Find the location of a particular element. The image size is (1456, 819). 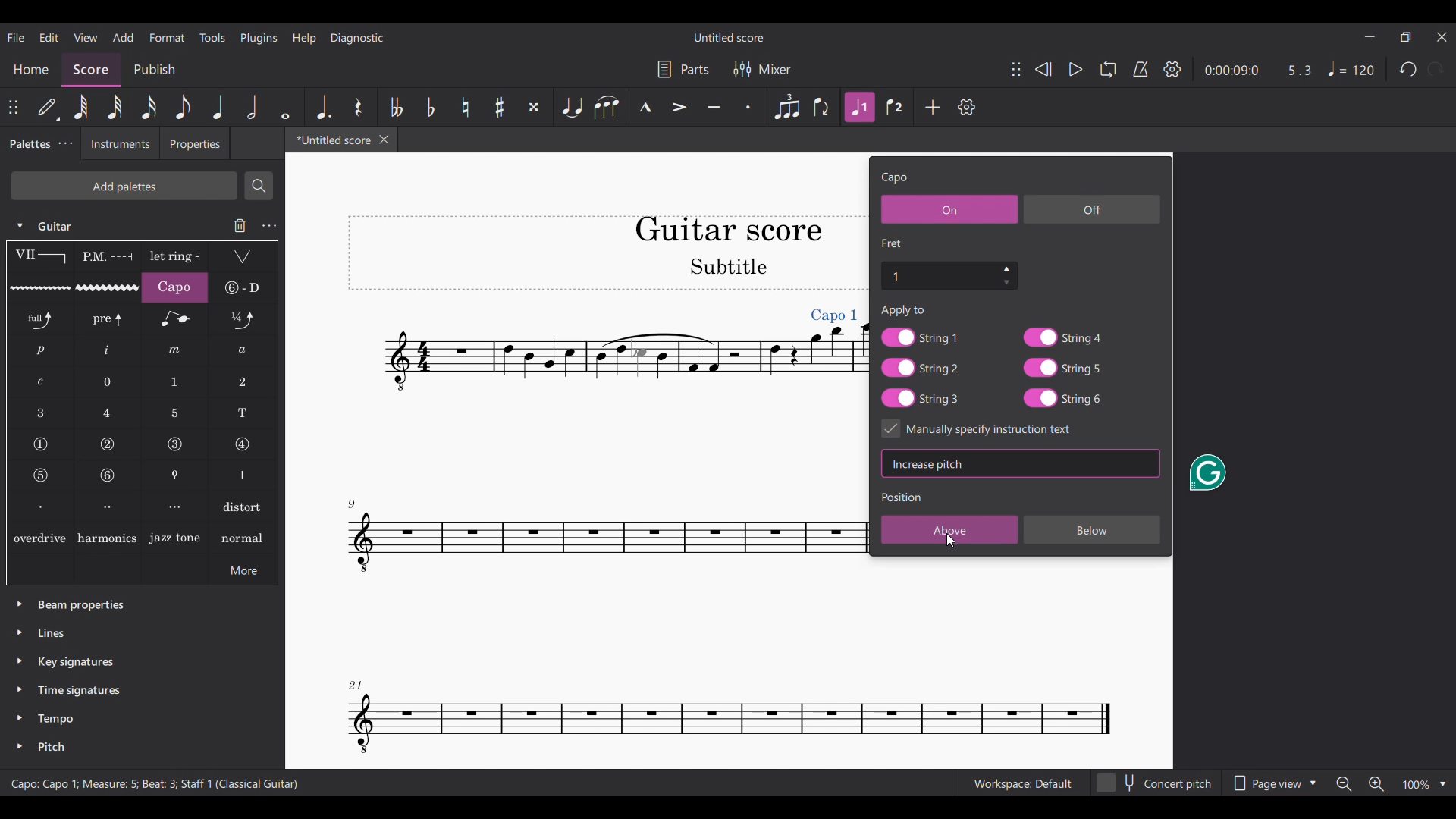

Publish is located at coordinates (155, 71).